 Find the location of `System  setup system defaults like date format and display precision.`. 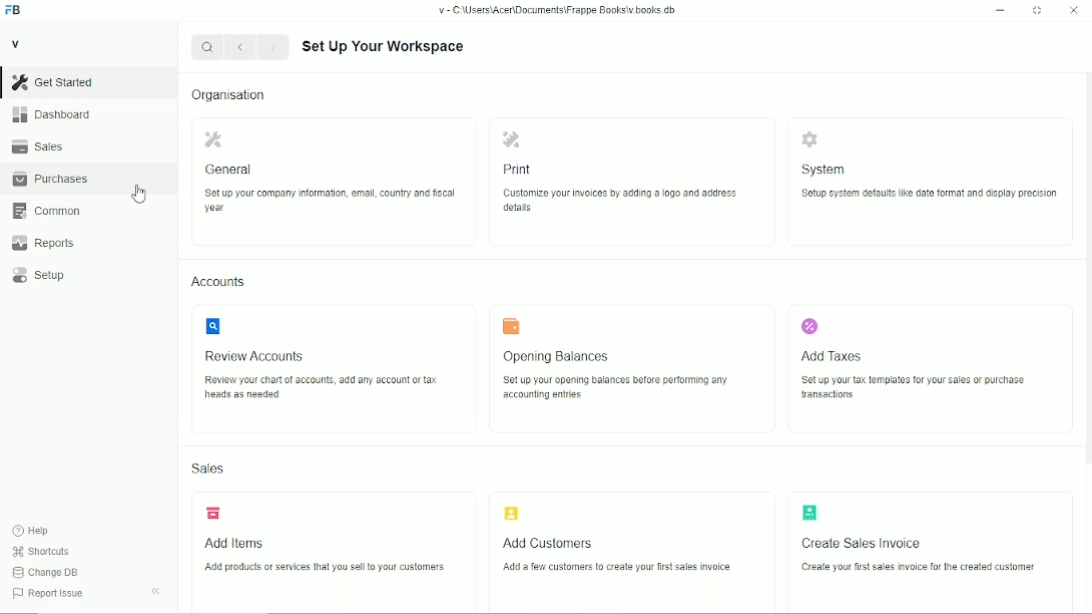

System  setup system defaults like date format and display precision. is located at coordinates (930, 182).